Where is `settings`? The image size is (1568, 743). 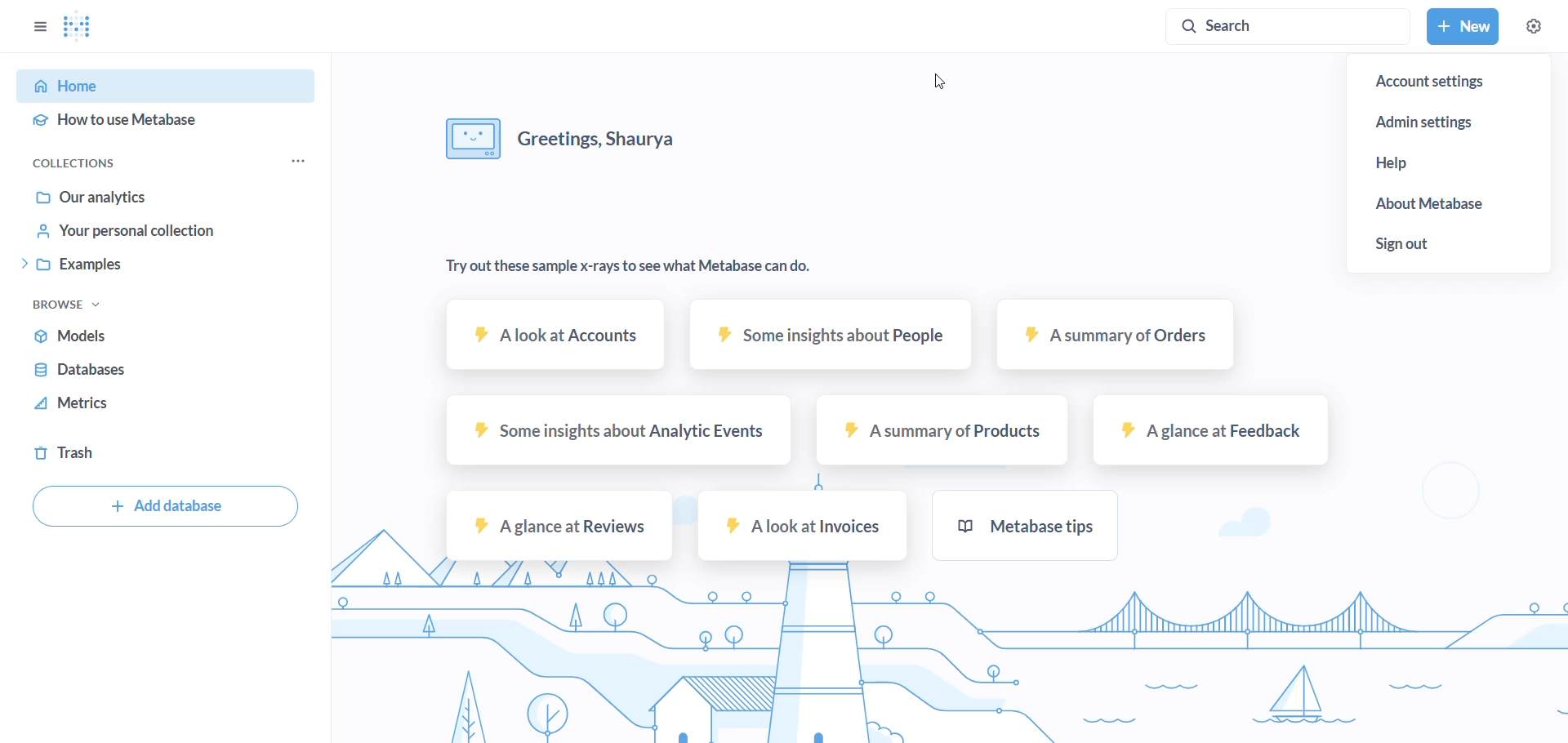 settings is located at coordinates (1536, 26).